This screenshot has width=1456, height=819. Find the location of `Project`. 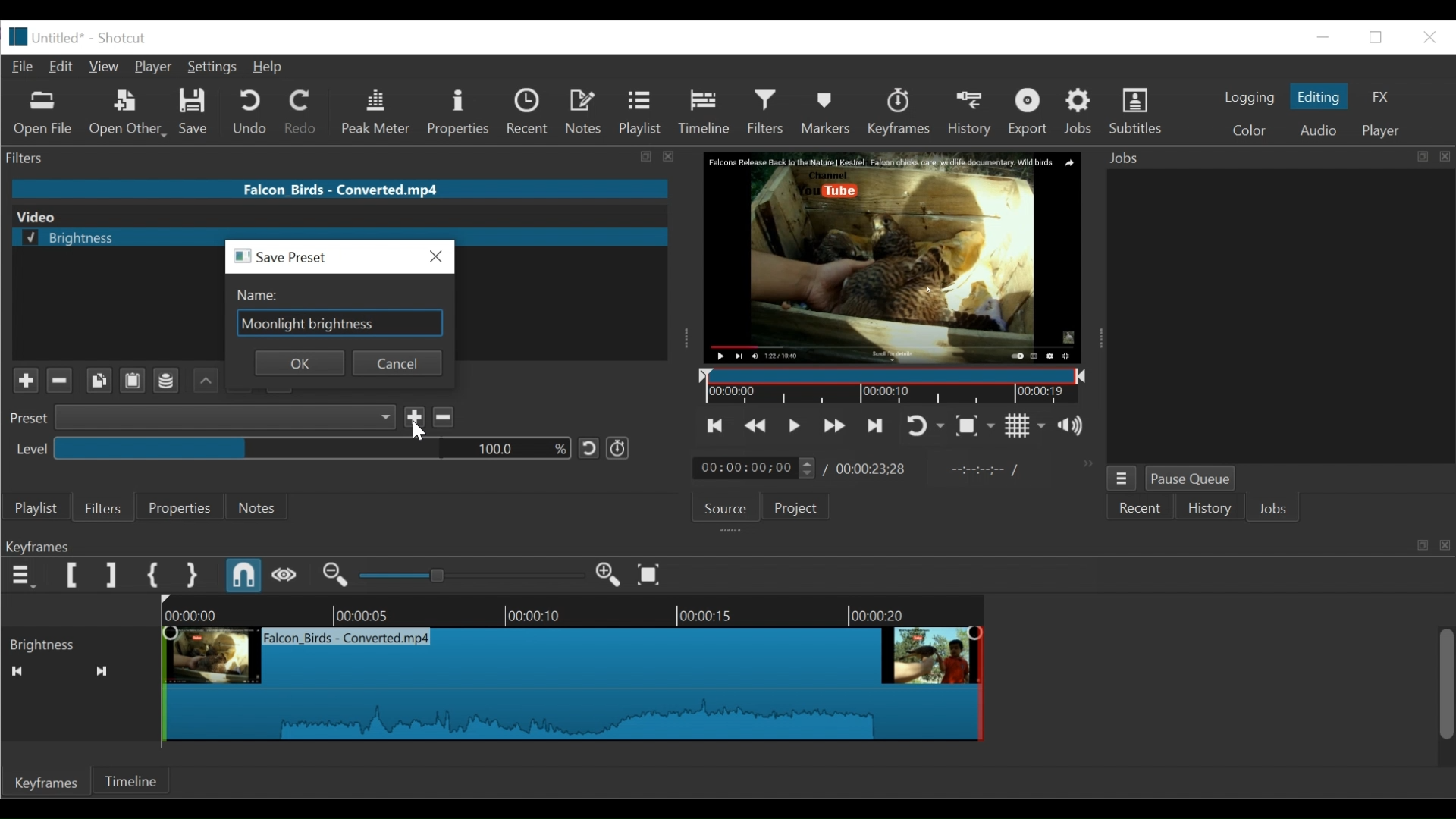

Project is located at coordinates (795, 507).